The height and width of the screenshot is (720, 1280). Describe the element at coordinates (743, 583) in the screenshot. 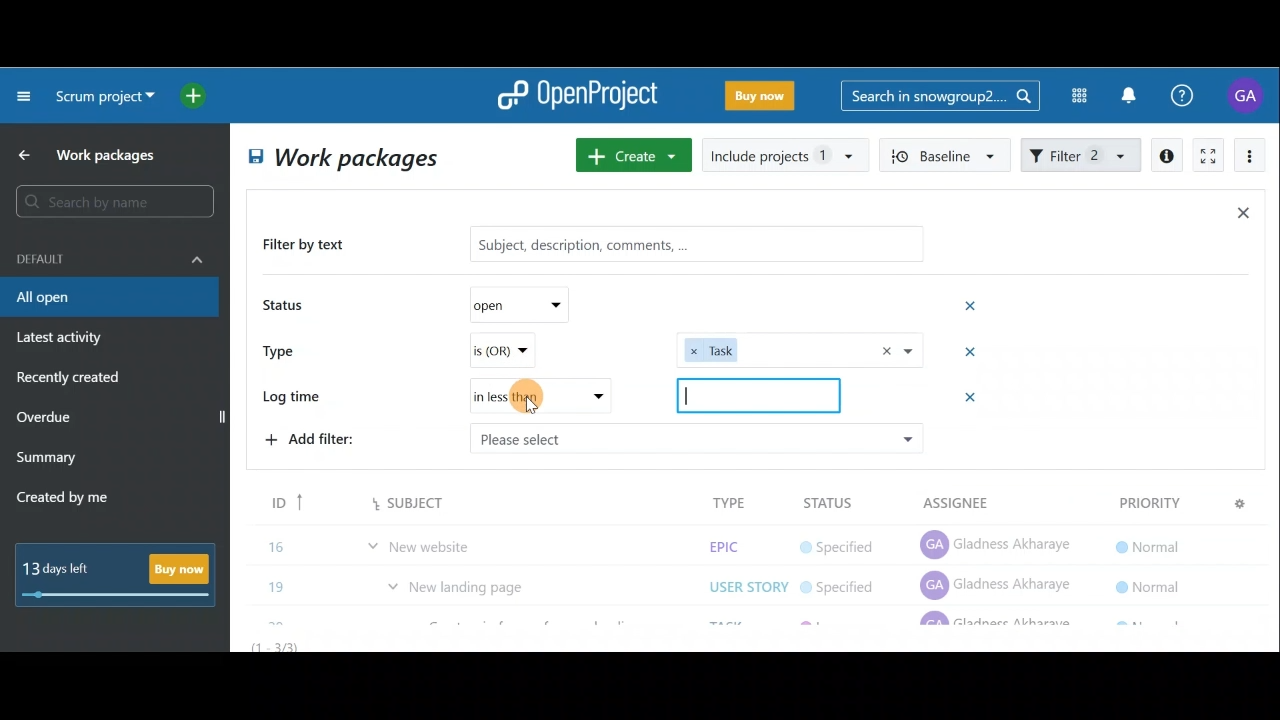

I see `user story` at that location.